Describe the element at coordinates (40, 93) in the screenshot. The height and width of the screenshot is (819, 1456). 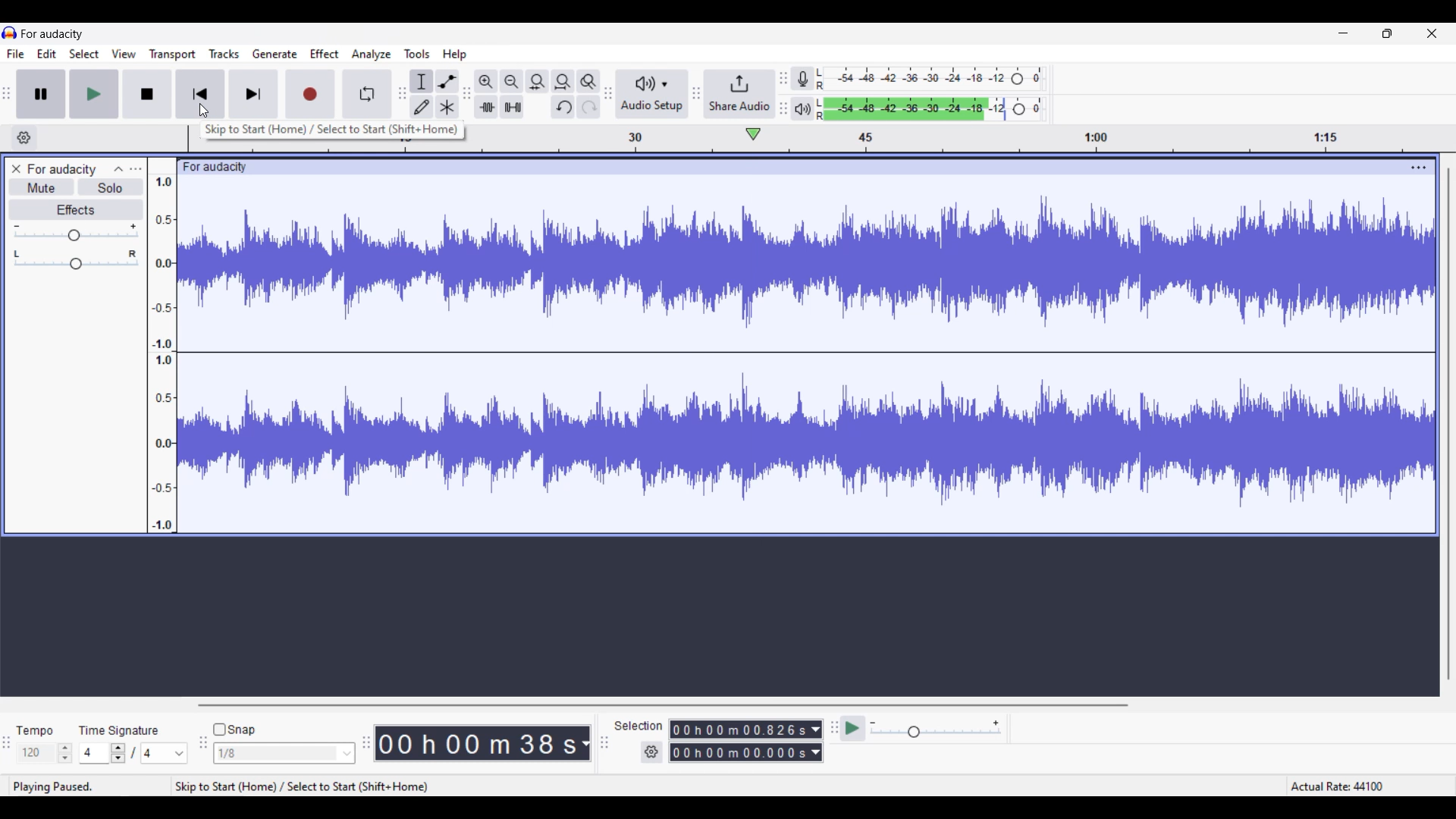
I see `Pause` at that location.